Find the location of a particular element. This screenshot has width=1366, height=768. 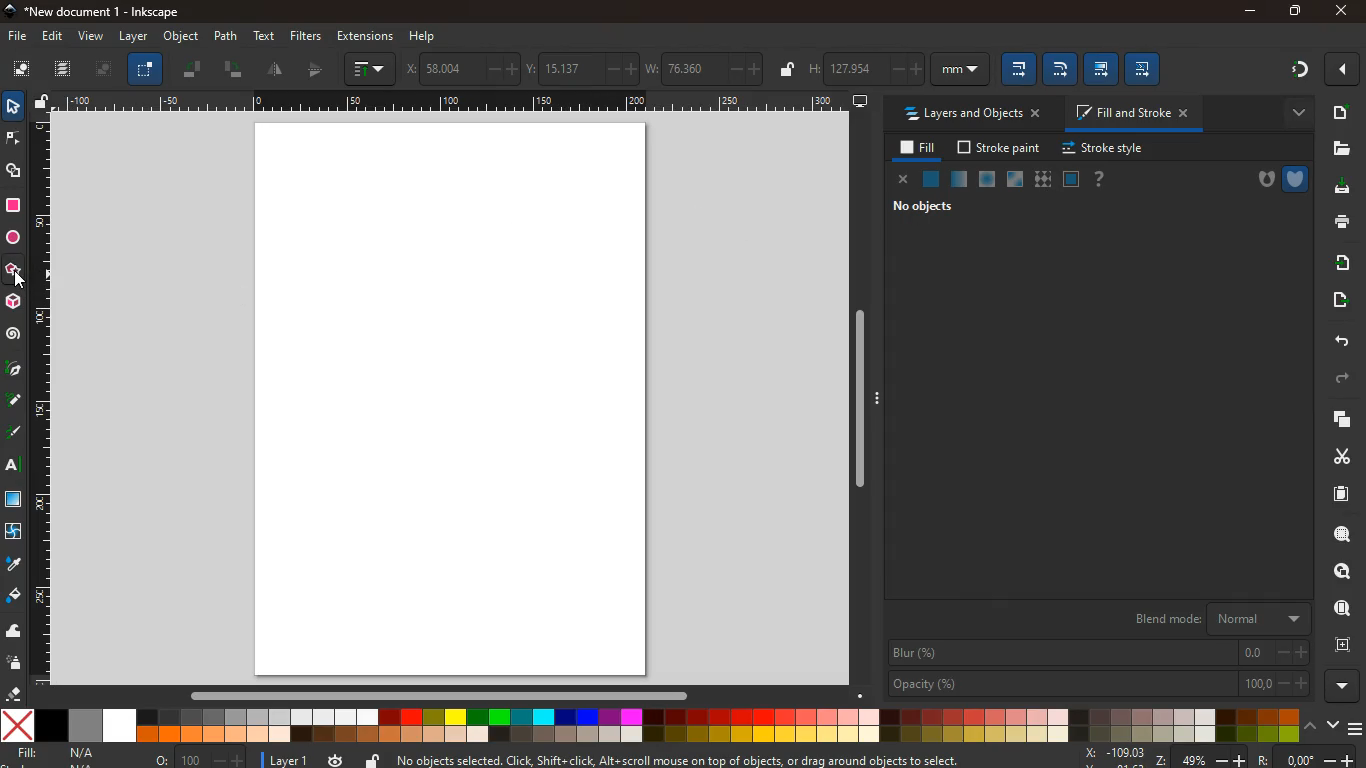

text is located at coordinates (266, 36).